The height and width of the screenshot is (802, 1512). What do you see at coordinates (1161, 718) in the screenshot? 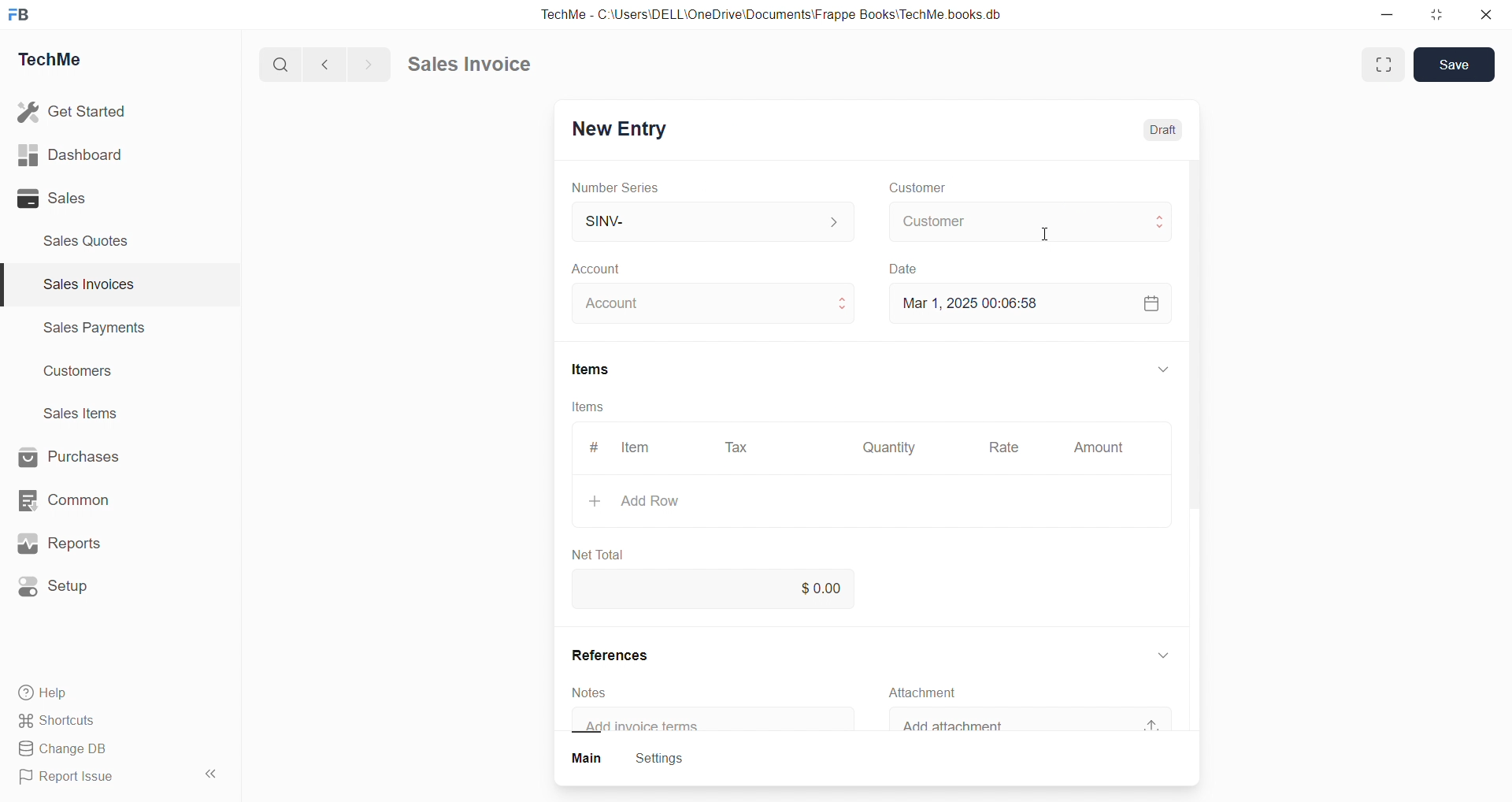
I see `Add Attachment button` at bounding box center [1161, 718].